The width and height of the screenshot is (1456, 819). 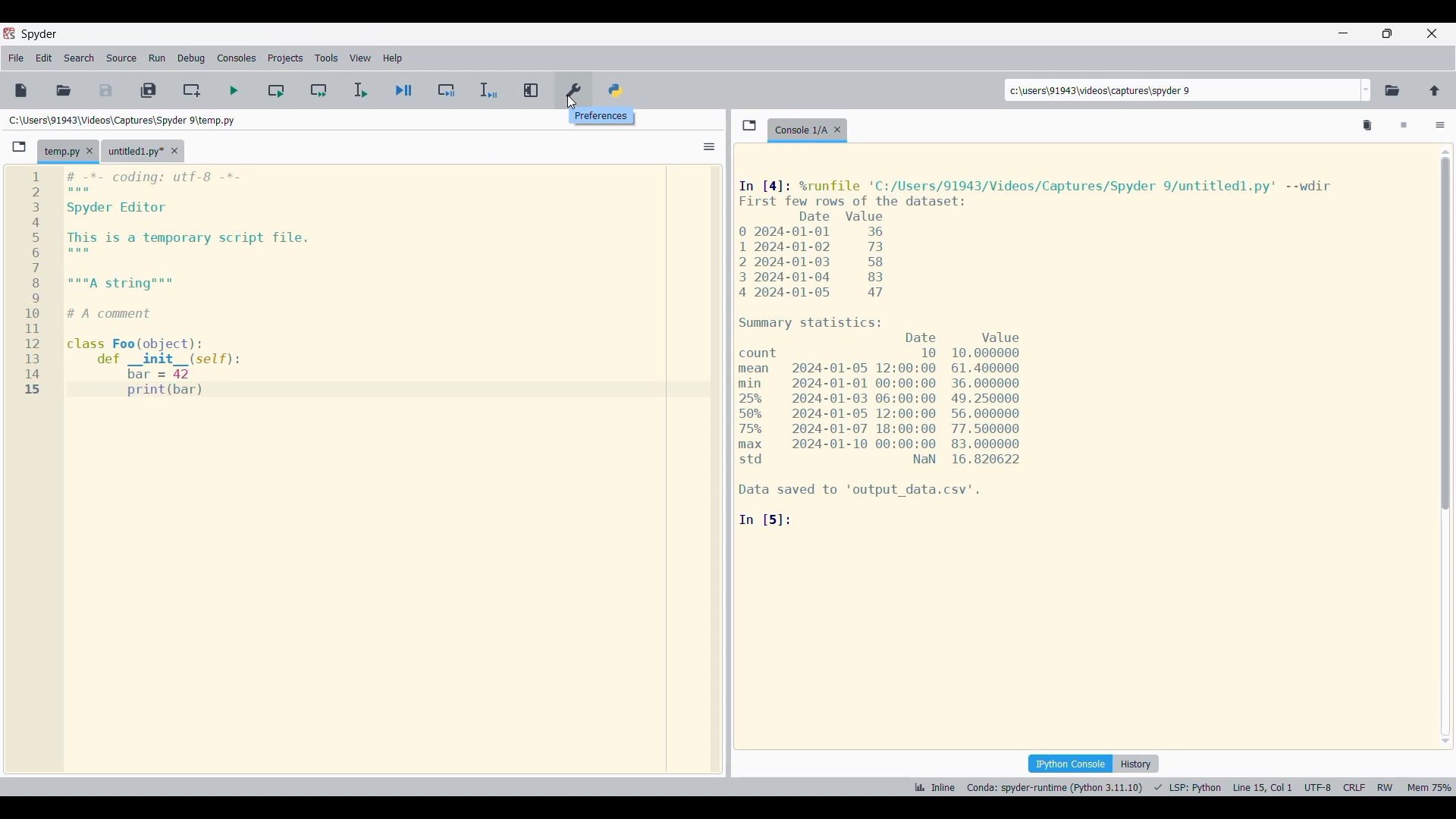 What do you see at coordinates (616, 89) in the screenshot?
I see `PYTHONPATH manager` at bounding box center [616, 89].